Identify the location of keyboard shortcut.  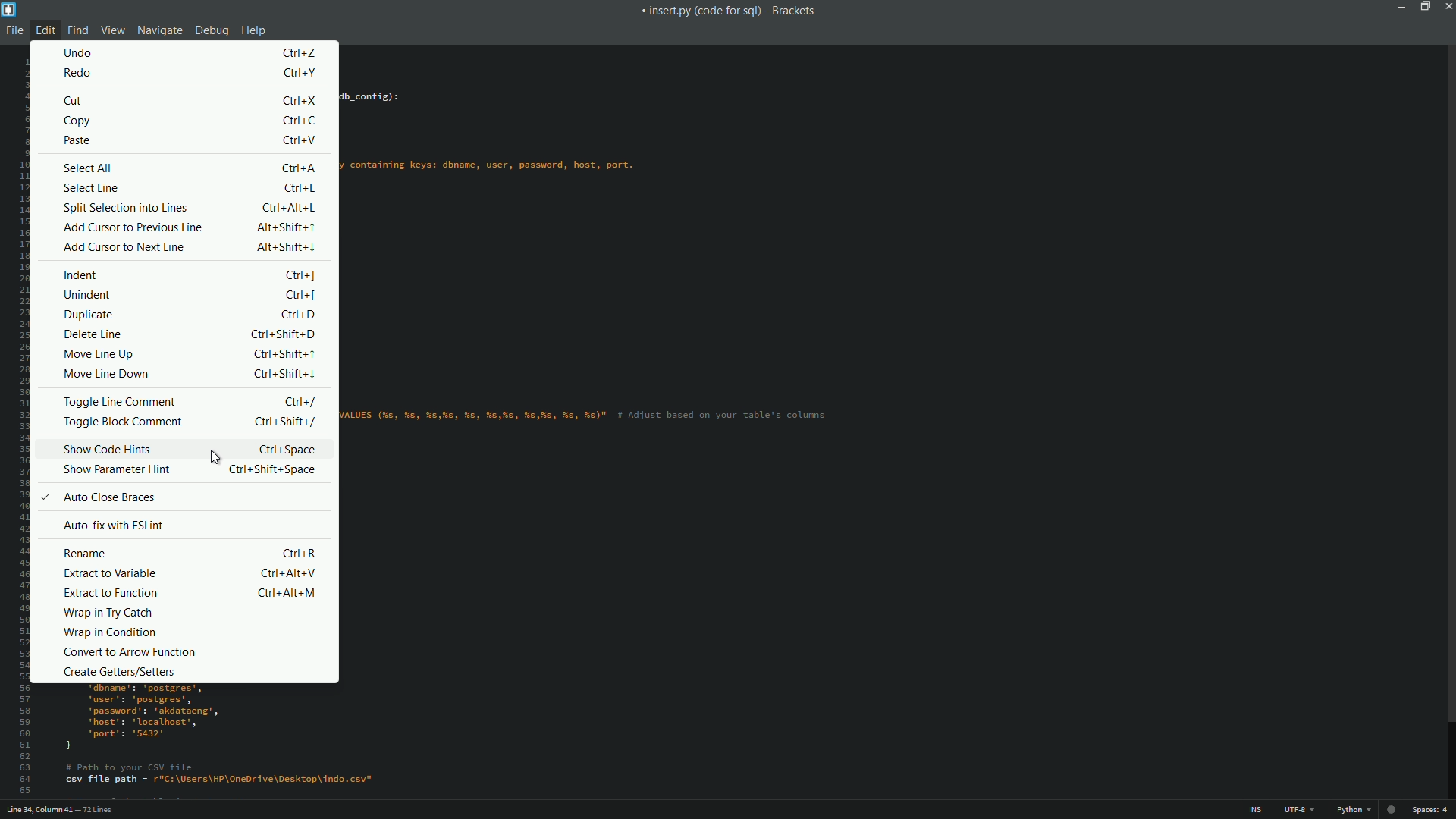
(300, 313).